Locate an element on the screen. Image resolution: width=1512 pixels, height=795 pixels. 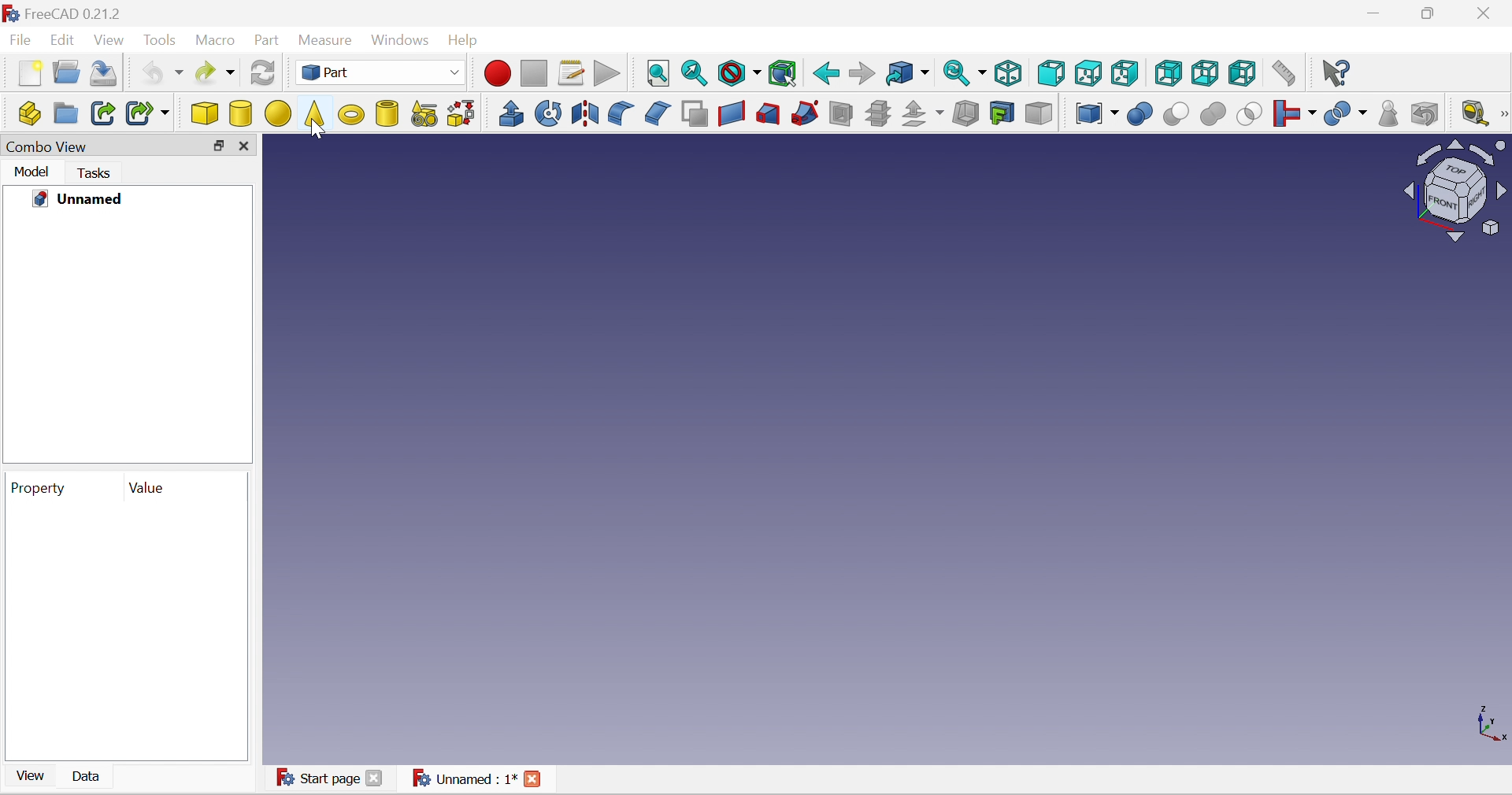
Part is located at coordinates (380, 71).